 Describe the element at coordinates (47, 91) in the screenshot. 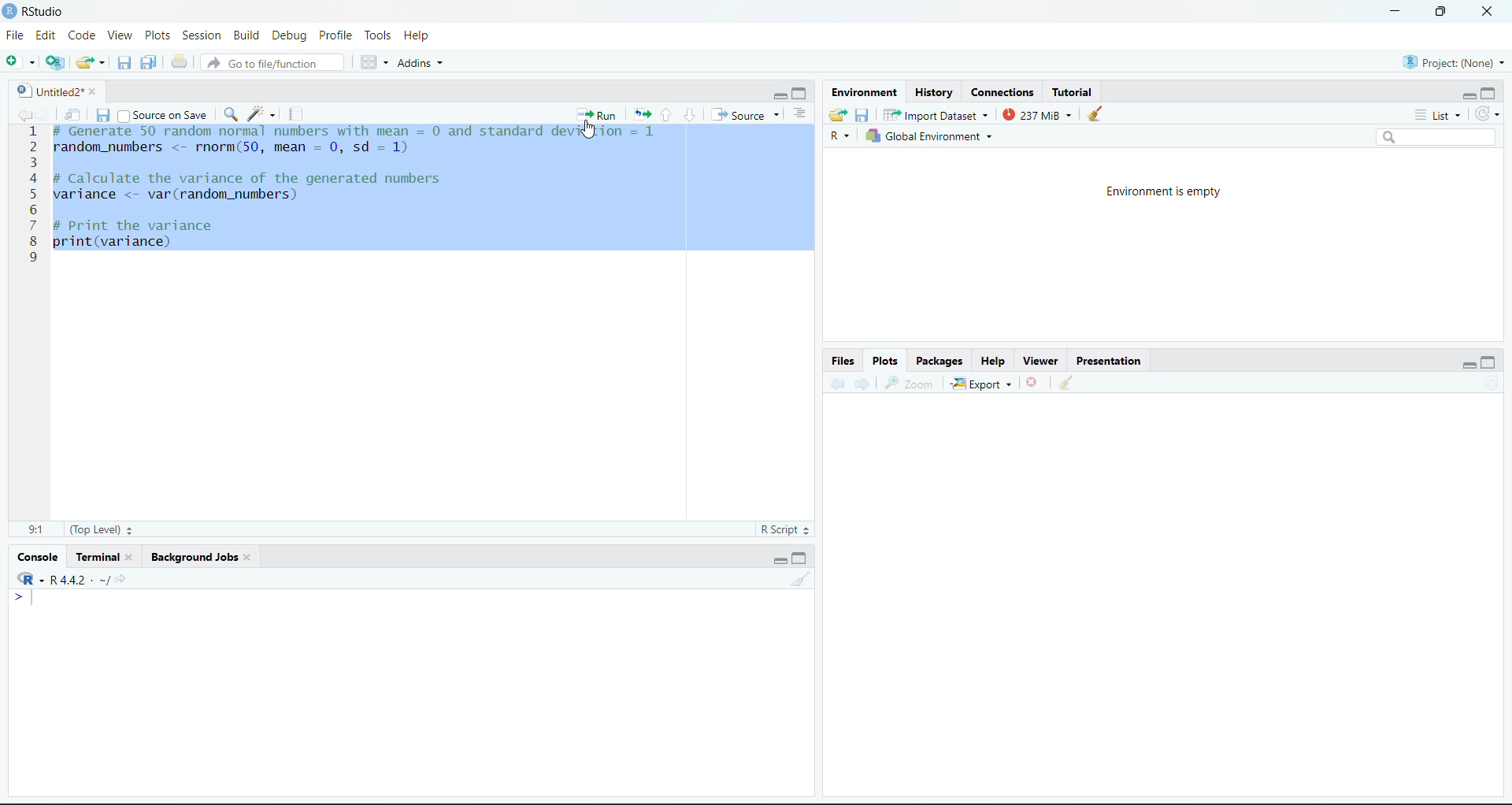

I see `Untitled 2` at that location.